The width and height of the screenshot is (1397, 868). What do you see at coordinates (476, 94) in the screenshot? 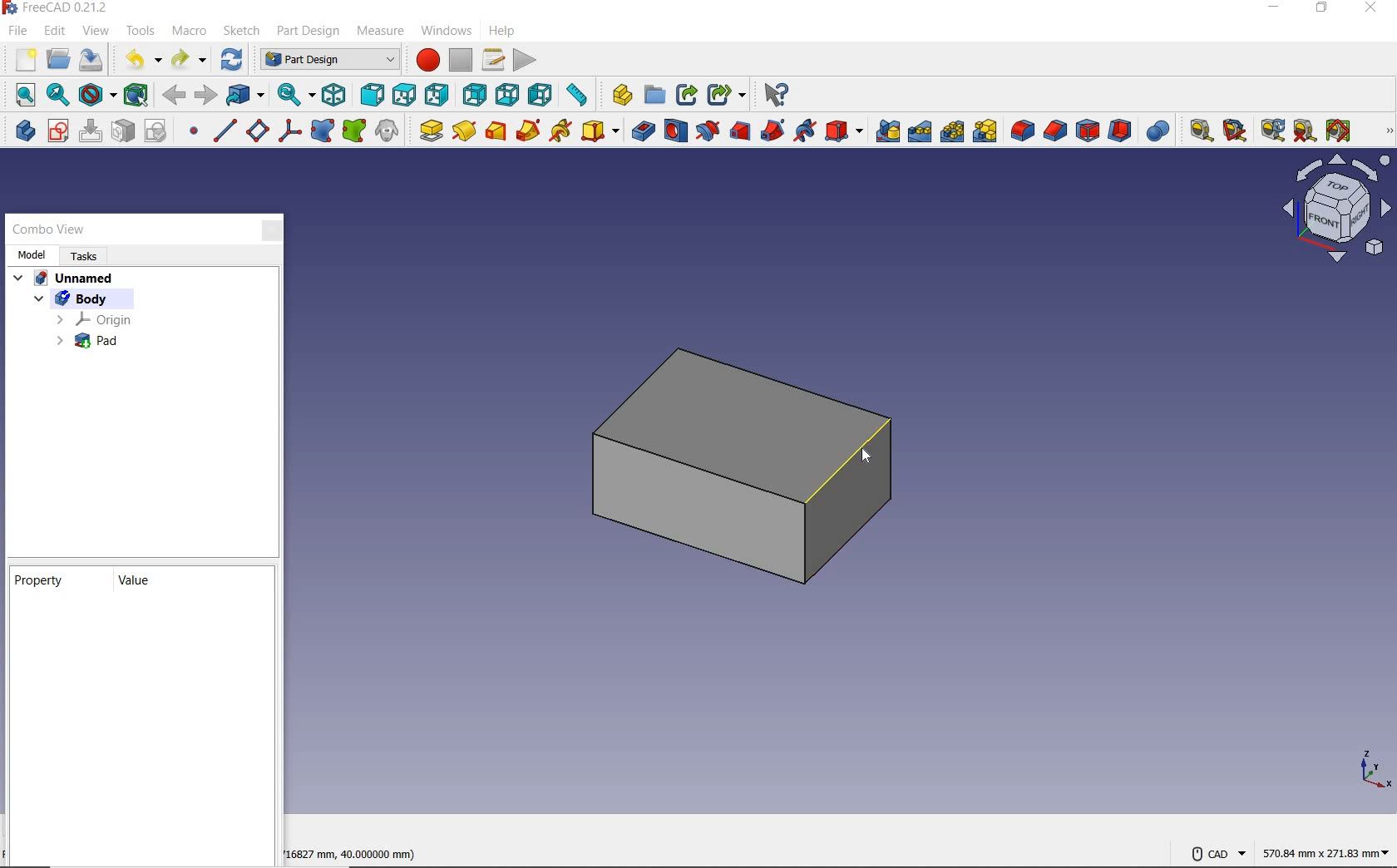
I see `rear` at bounding box center [476, 94].